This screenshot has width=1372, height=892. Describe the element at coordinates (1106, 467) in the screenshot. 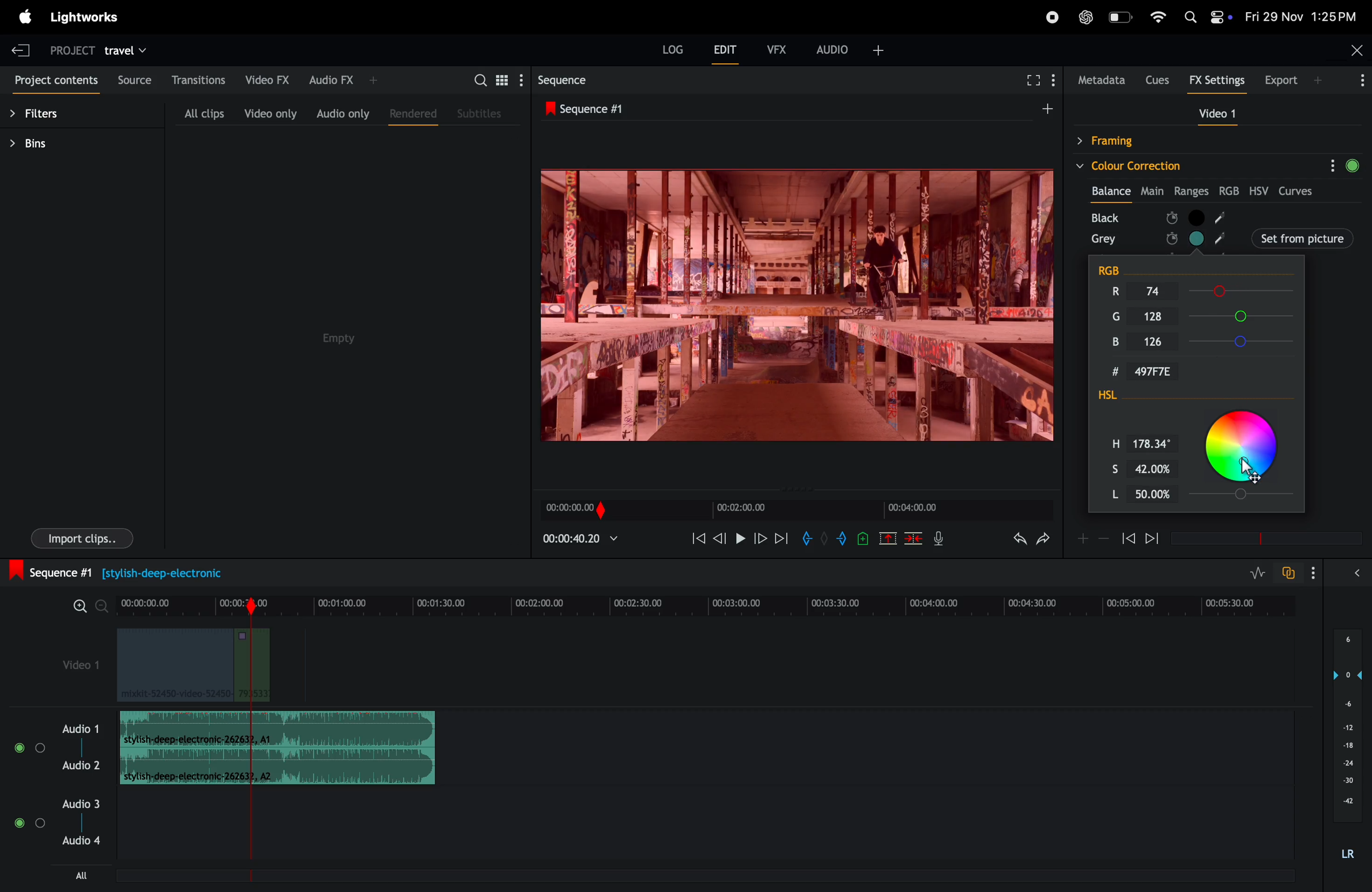

I see `S` at that location.